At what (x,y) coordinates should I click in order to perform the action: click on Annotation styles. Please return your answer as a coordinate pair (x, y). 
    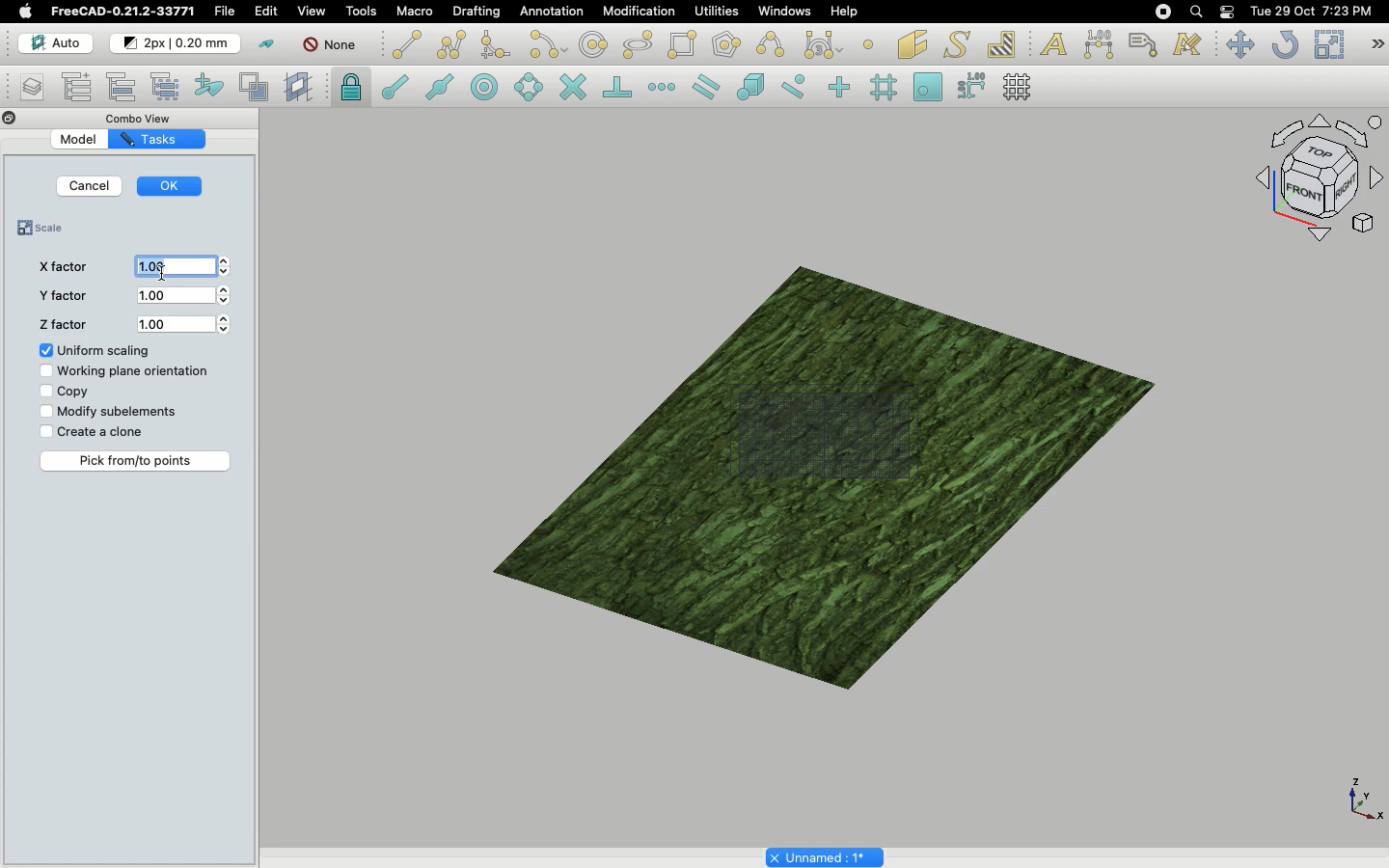
    Looking at the image, I should click on (1186, 46).